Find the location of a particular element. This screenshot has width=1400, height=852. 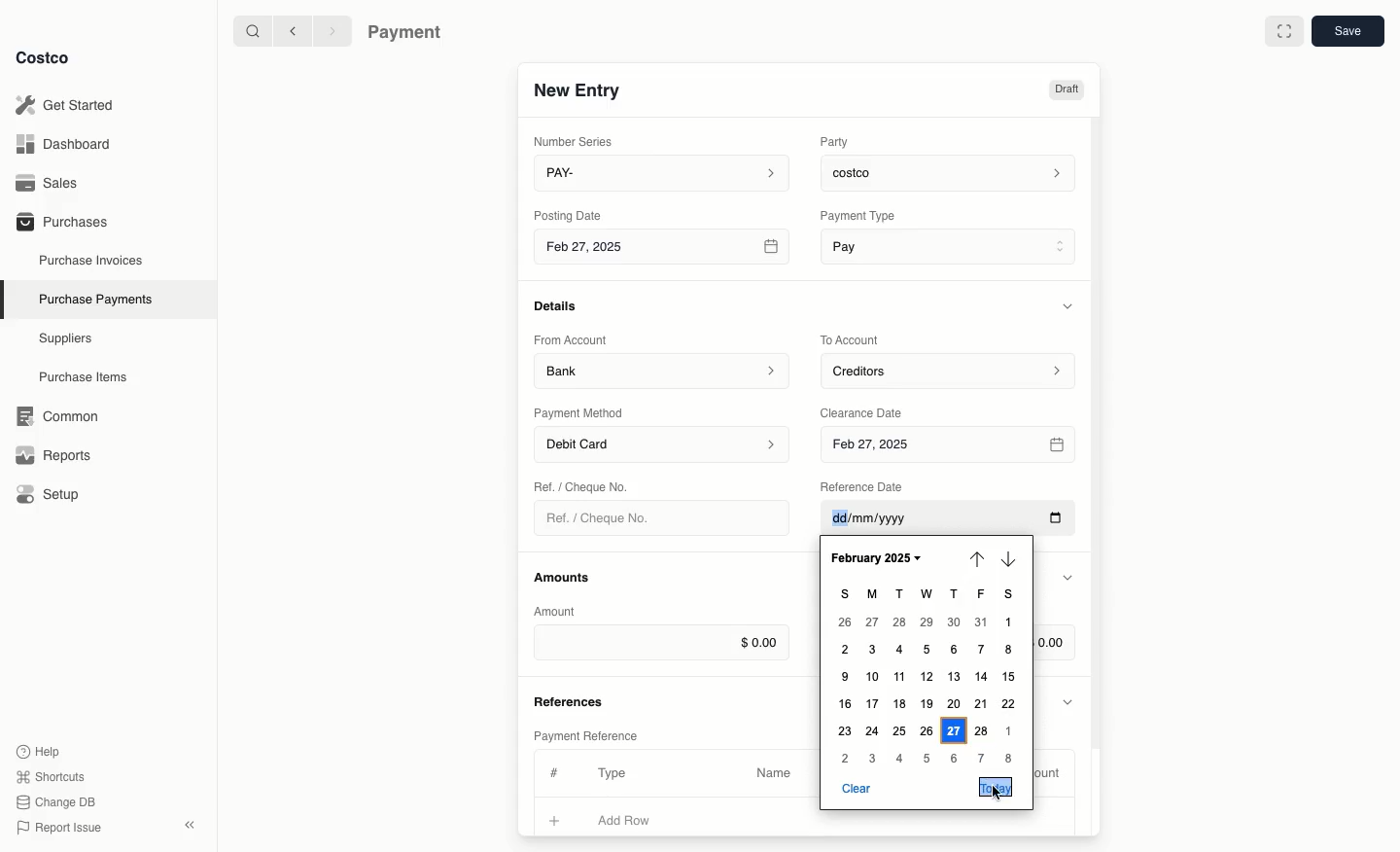

Pay is located at coordinates (951, 245).